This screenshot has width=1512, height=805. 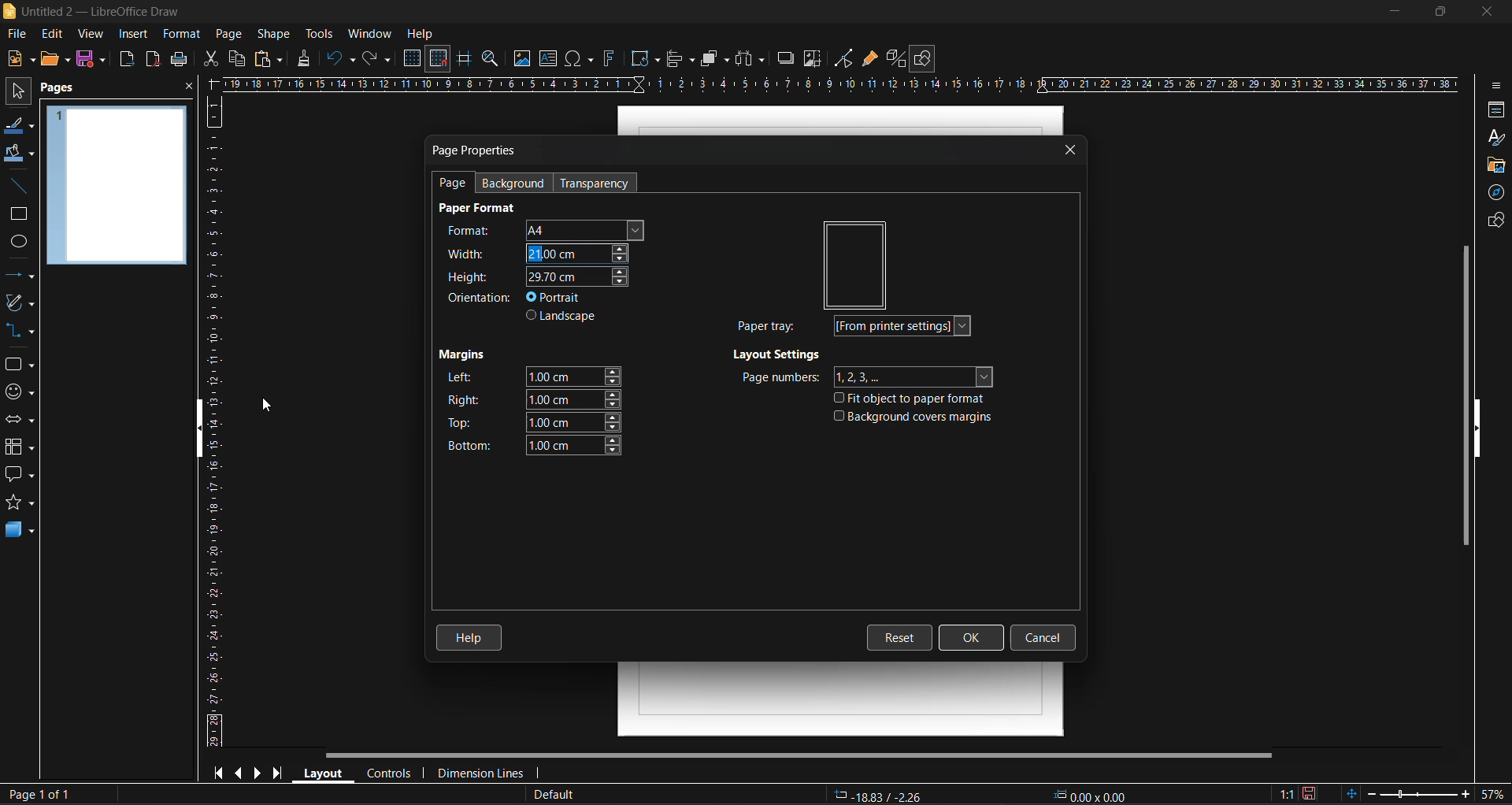 I want to click on navigator, so click(x=1494, y=193).